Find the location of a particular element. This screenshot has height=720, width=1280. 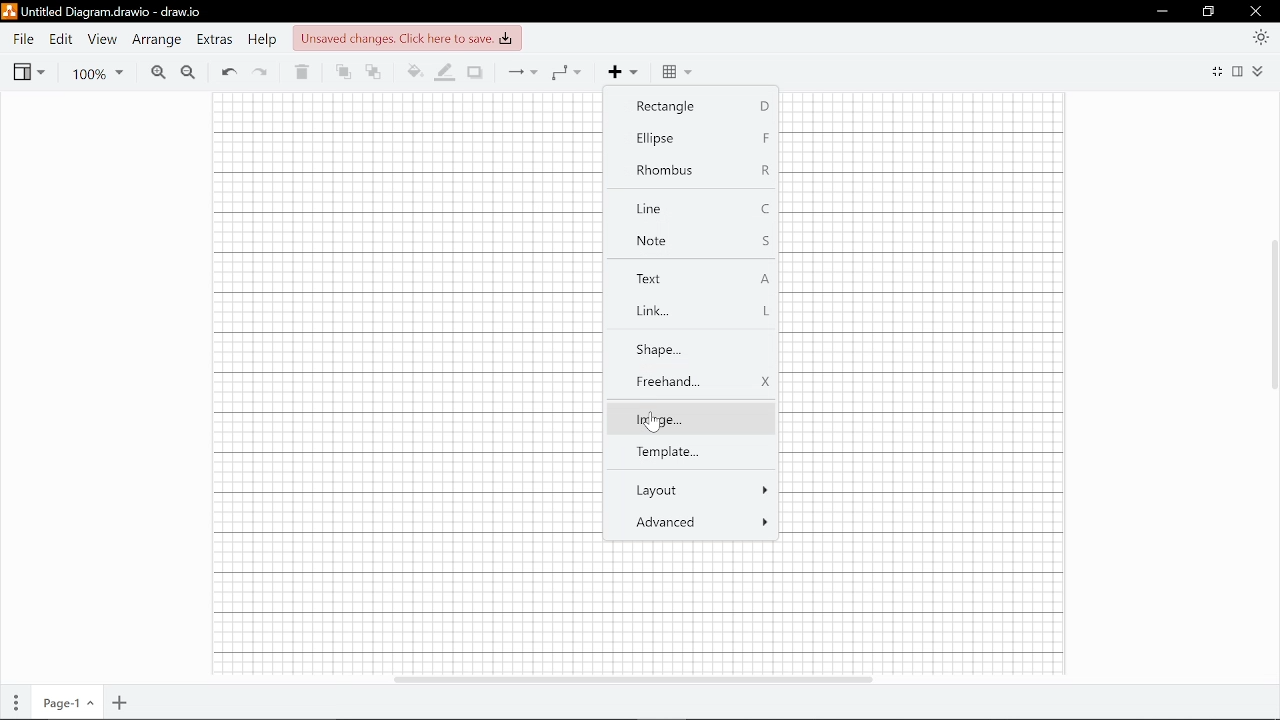

Arrange is located at coordinates (154, 41).